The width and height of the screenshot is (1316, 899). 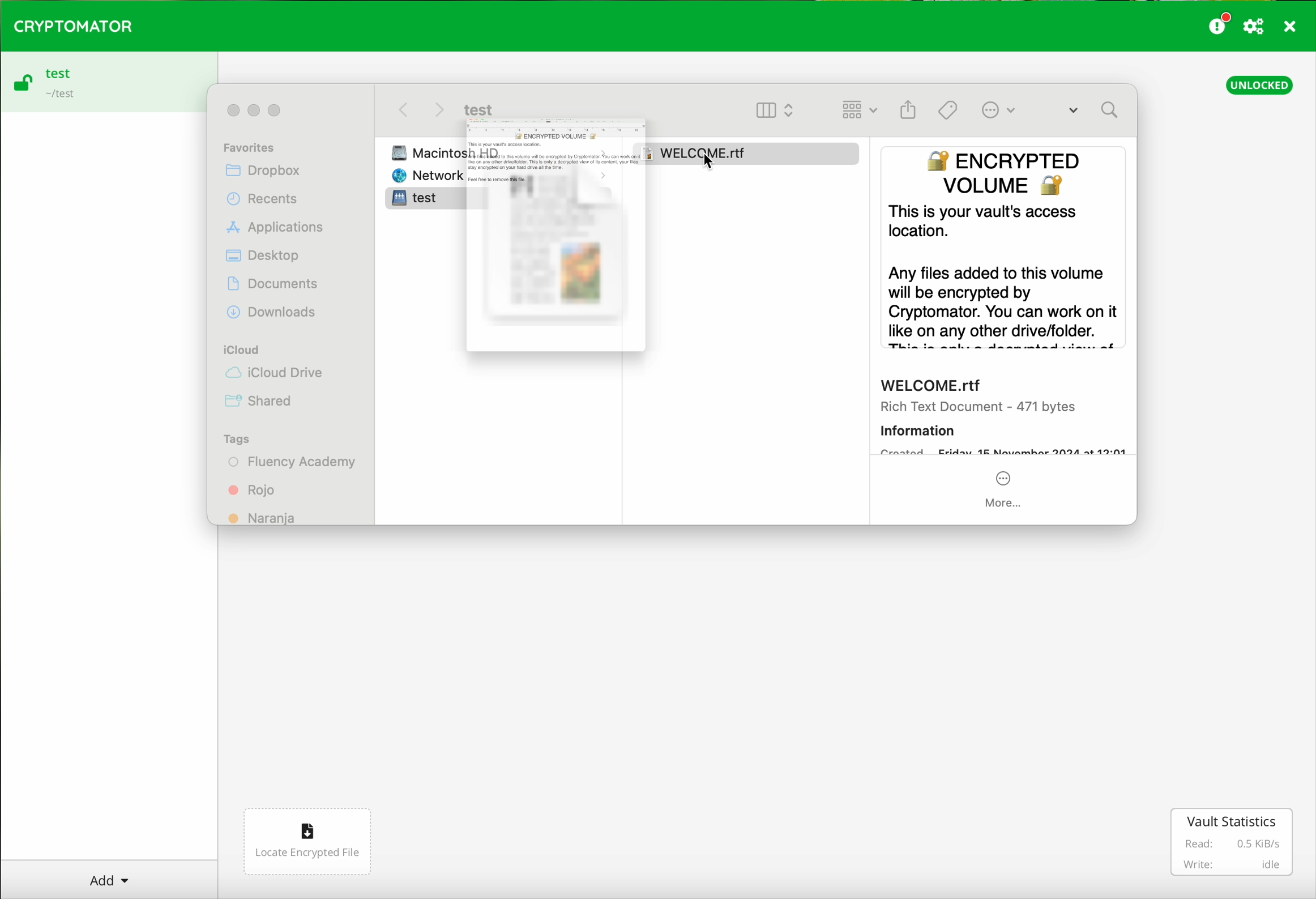 I want to click on More Options, so click(x=1007, y=109).